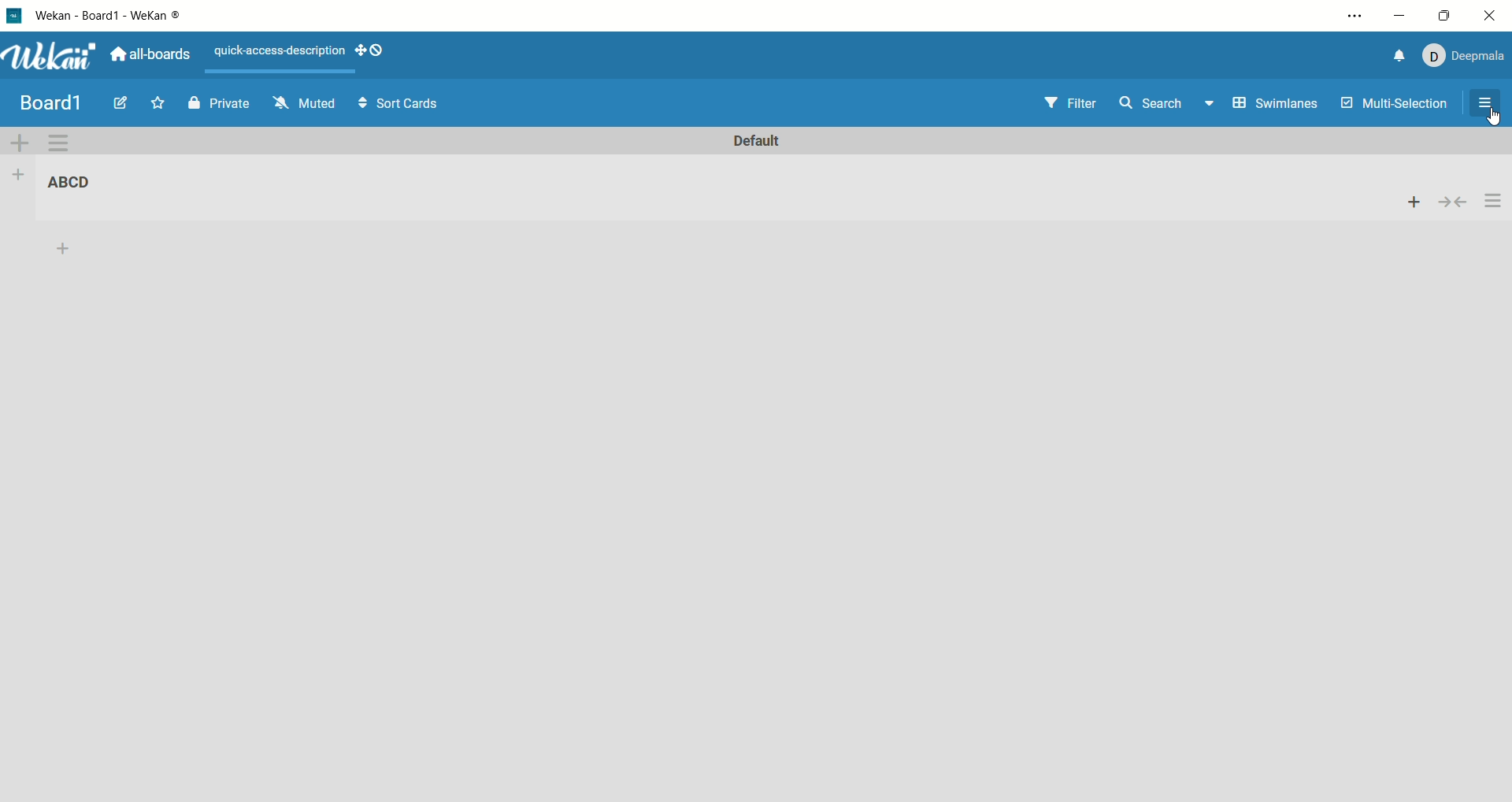 The image size is (1512, 802). Describe the element at coordinates (221, 104) in the screenshot. I see `private` at that location.